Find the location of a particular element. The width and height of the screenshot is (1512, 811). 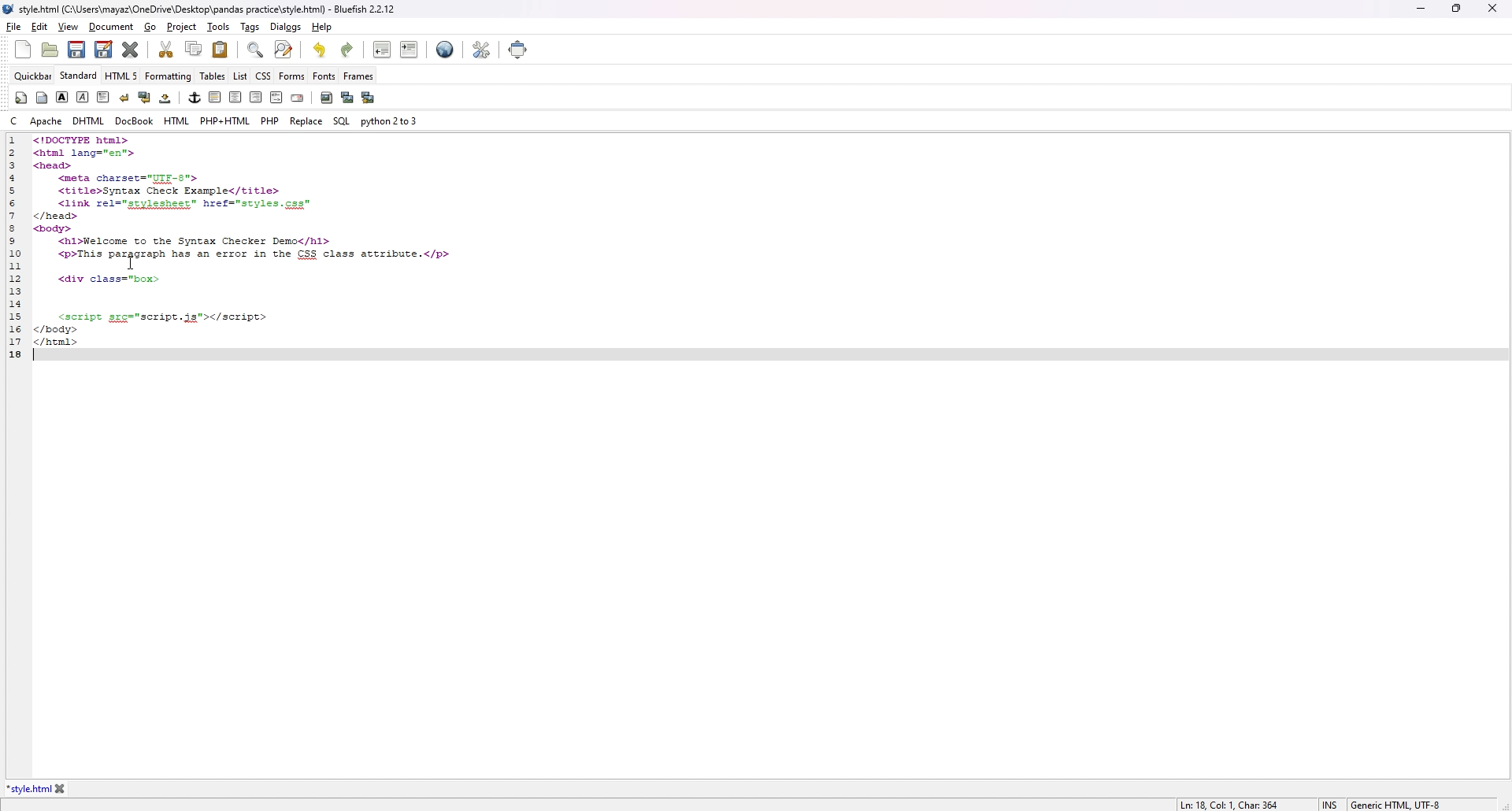

project is located at coordinates (180, 27).